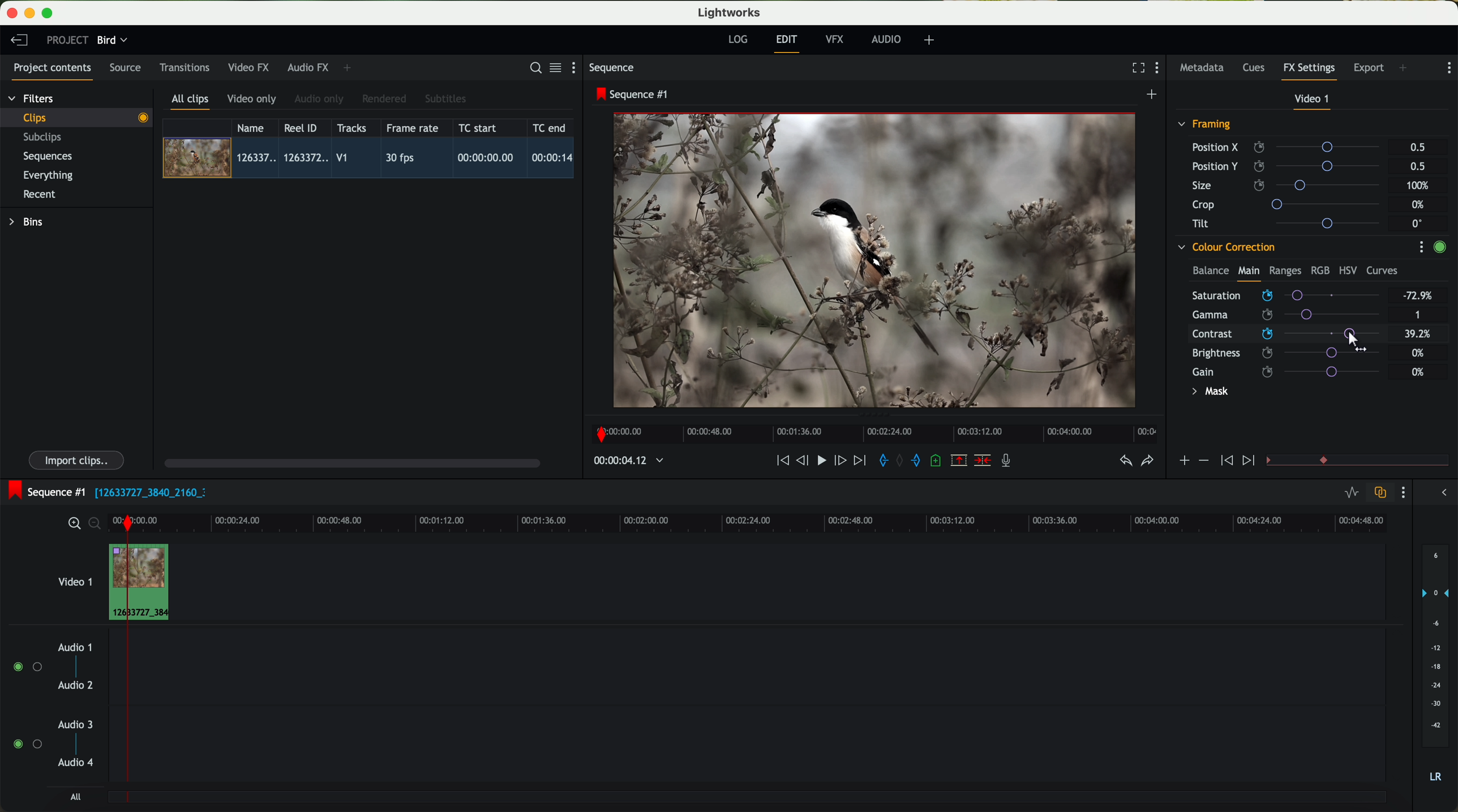 Image resolution: width=1458 pixels, height=812 pixels. I want to click on bird, so click(112, 41).